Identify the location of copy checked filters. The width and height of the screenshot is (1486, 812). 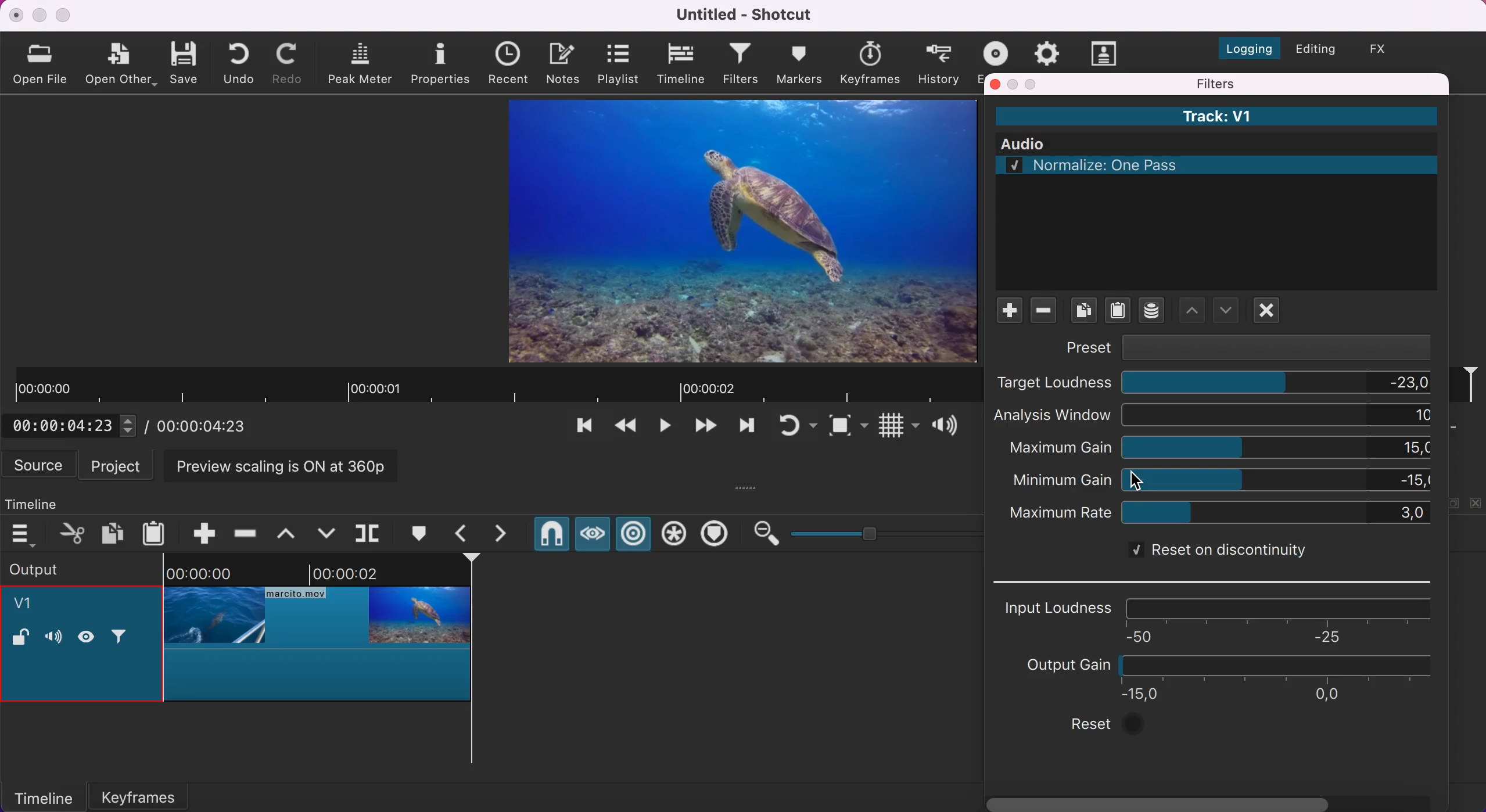
(1084, 312).